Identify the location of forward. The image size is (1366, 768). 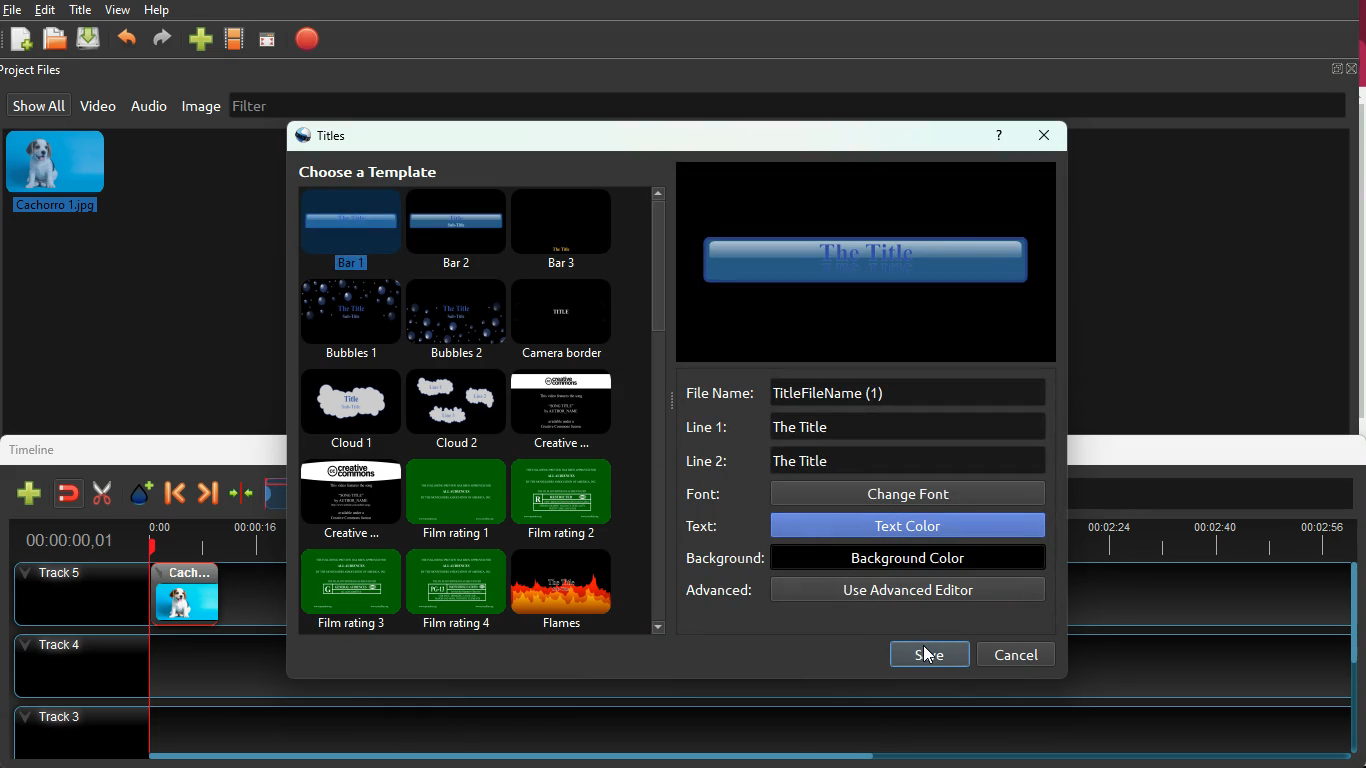
(160, 41).